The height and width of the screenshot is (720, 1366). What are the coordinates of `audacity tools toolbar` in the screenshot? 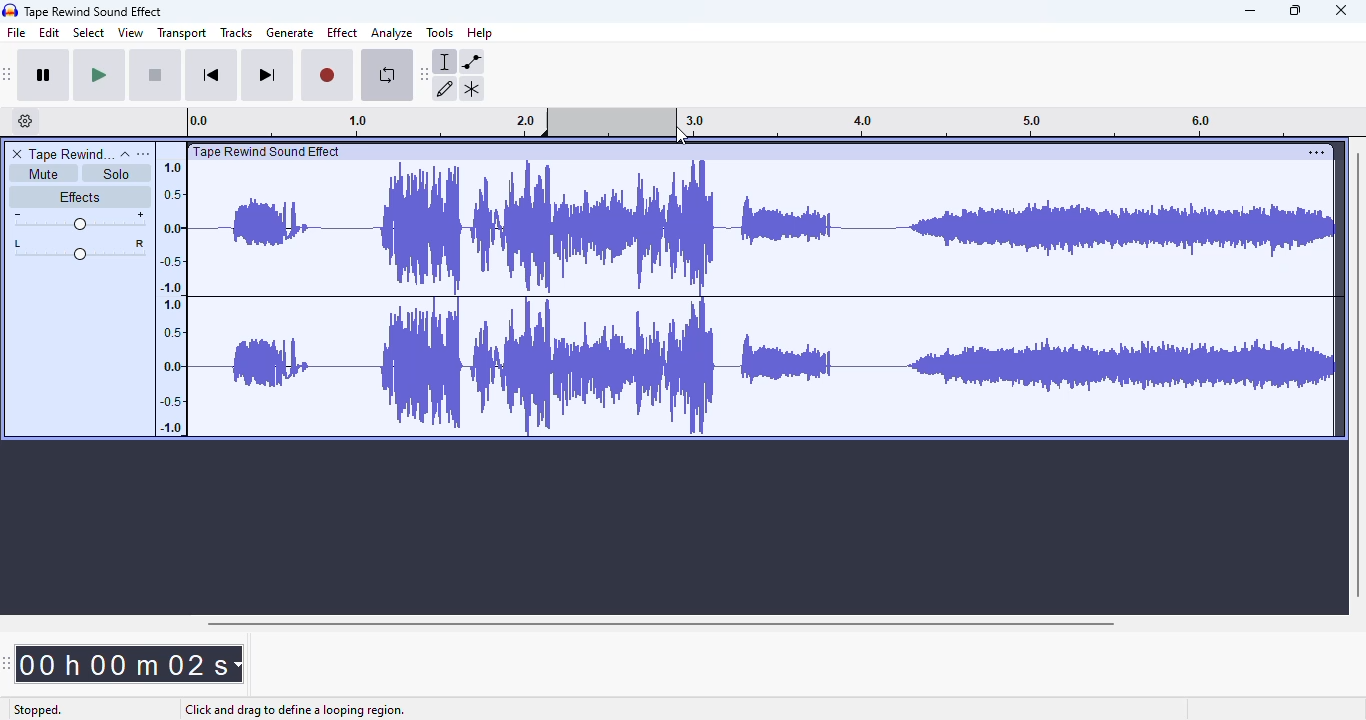 It's located at (425, 73).